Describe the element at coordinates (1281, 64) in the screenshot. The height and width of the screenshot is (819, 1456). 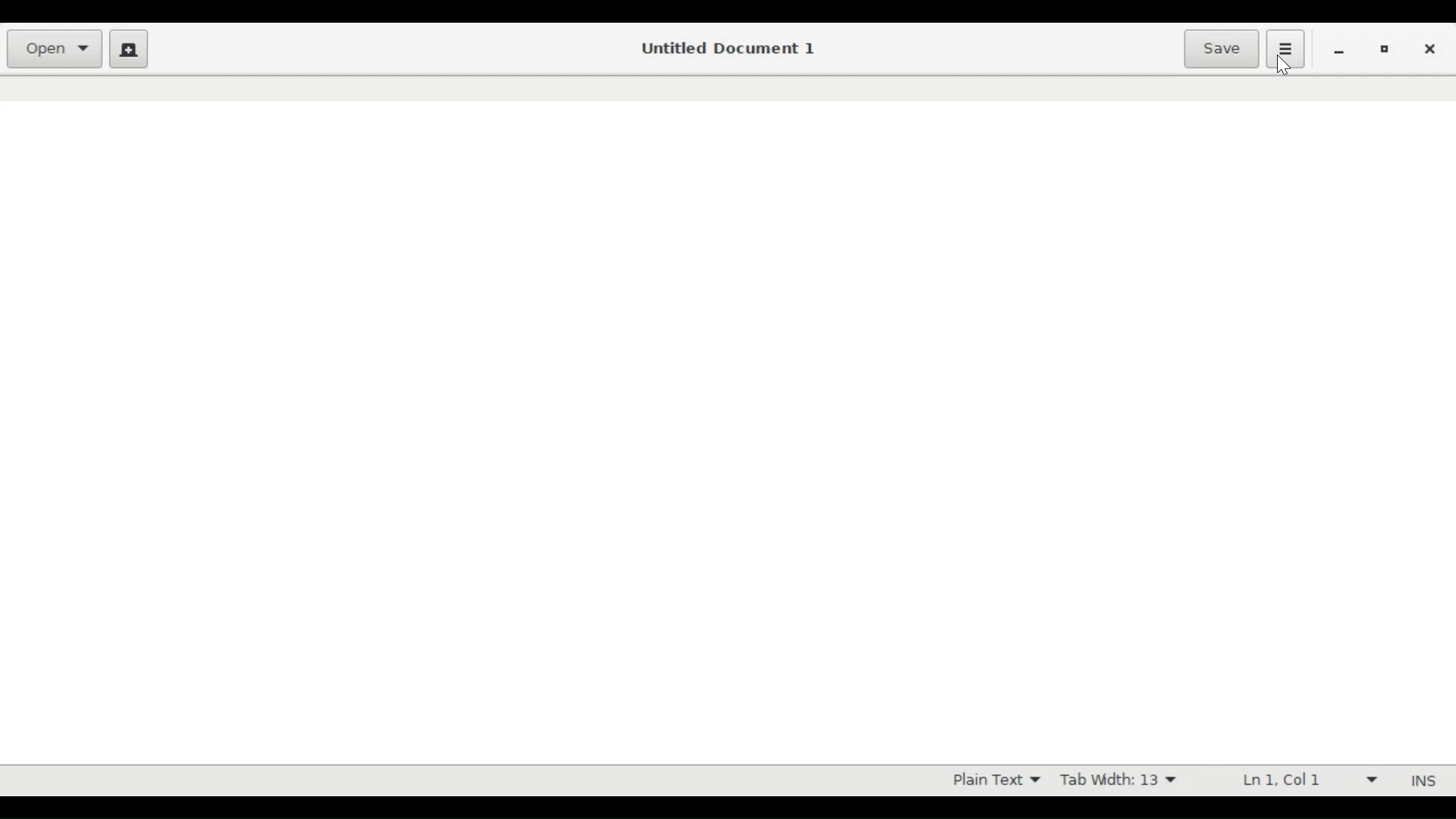
I see `Cursor` at that location.